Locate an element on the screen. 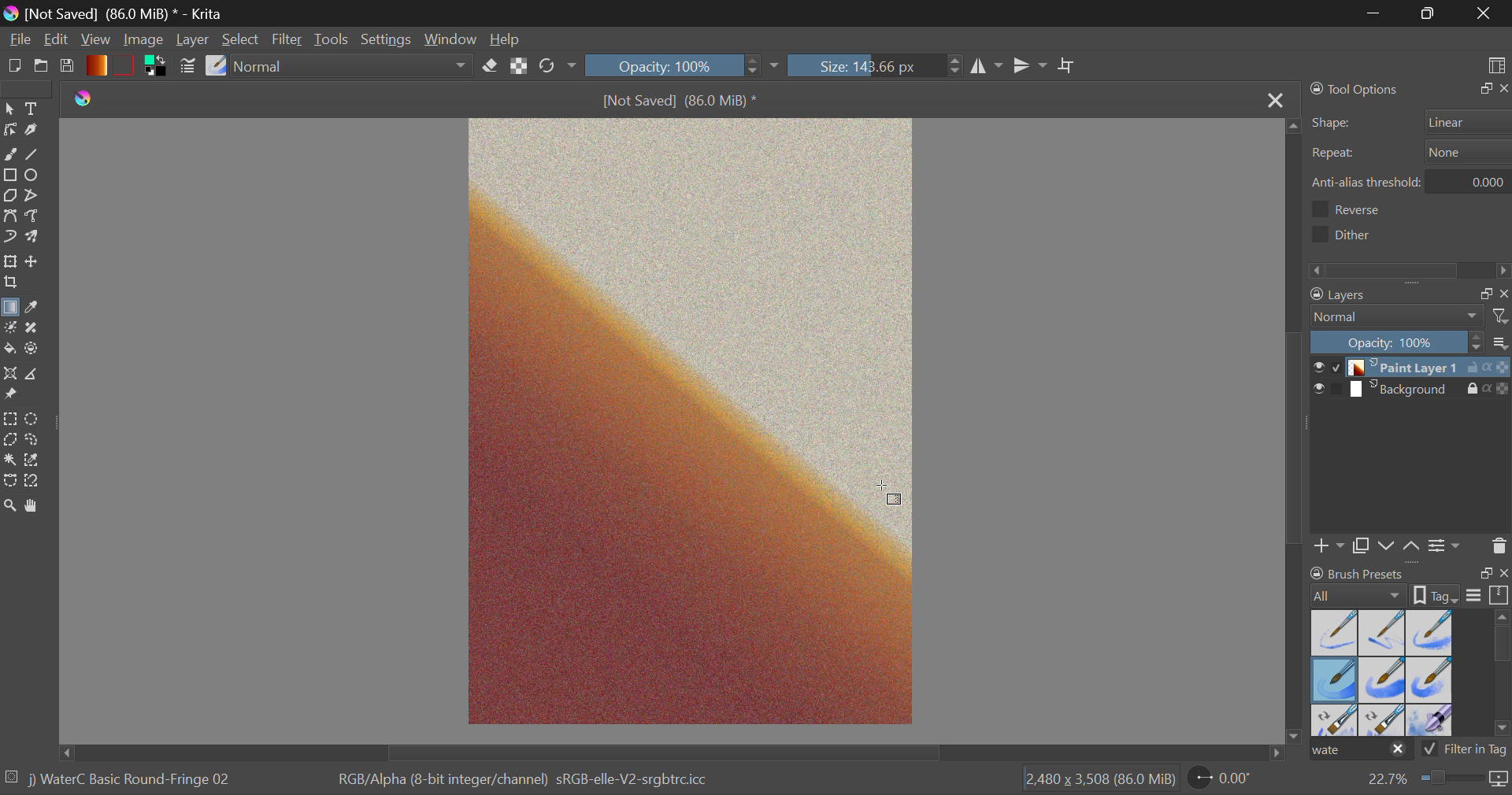 Image resolution: width=1512 pixels, height=795 pixels. Continuous Selection is located at coordinates (9, 462).